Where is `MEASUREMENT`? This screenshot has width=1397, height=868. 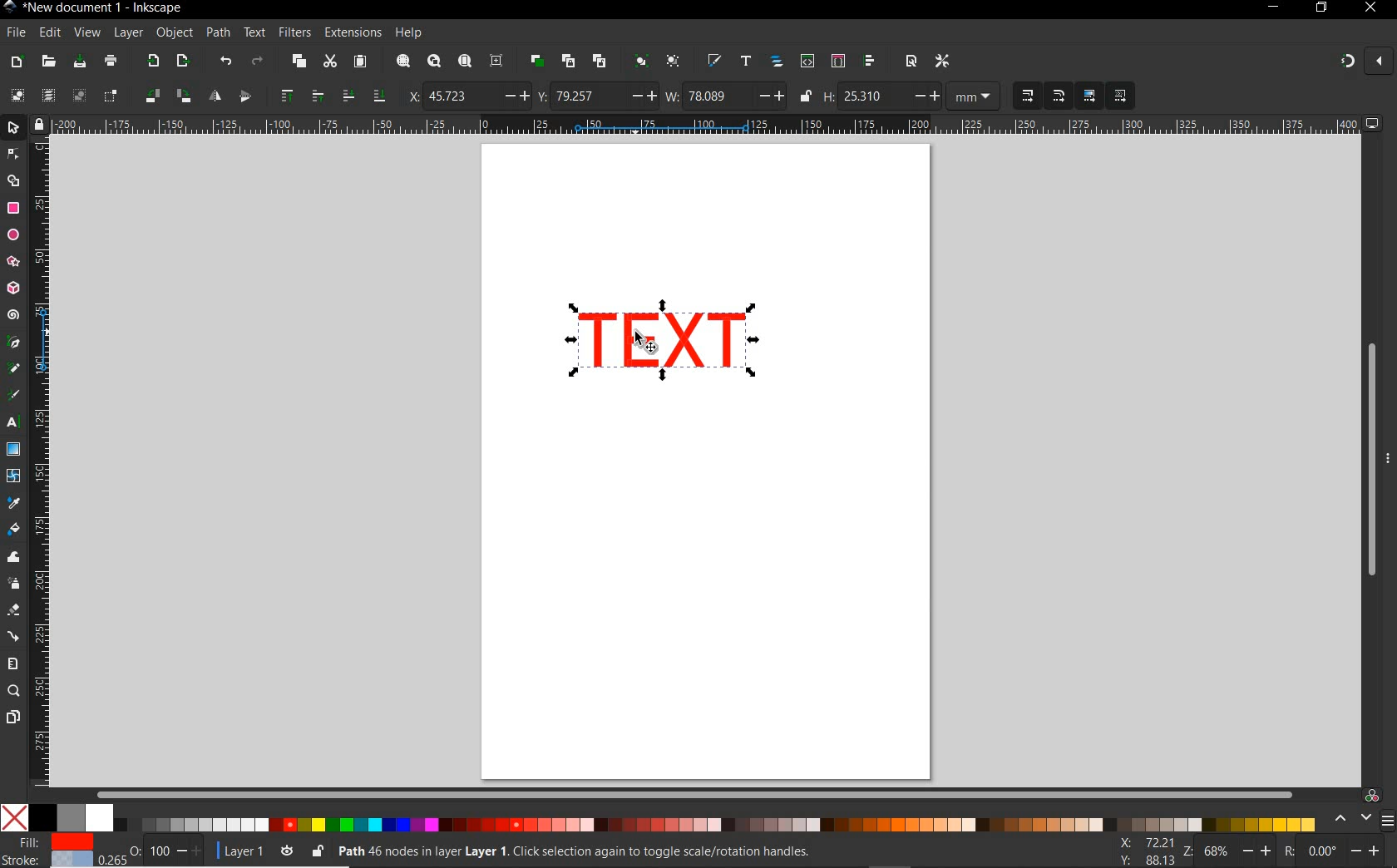 MEASUREMENT is located at coordinates (974, 98).